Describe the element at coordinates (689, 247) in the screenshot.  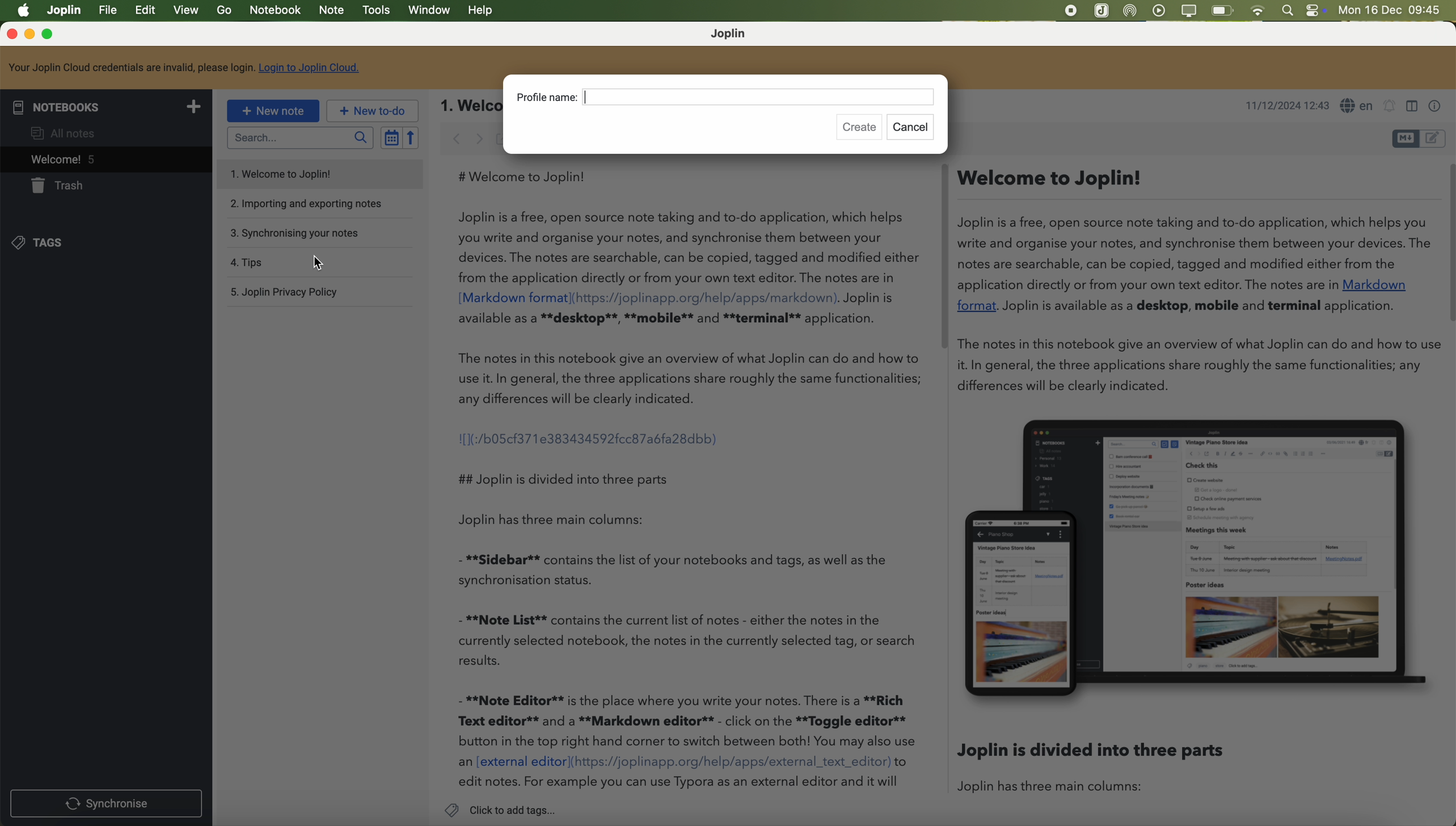
I see `Joplin is a free, open source note taking and to-do application, which helps
you write and organise your notes, and synchronise them between your
devices. The notes are searchable, can be copied, tagged and modified either
from the application directly or from your own text editor. The notes are in` at that location.